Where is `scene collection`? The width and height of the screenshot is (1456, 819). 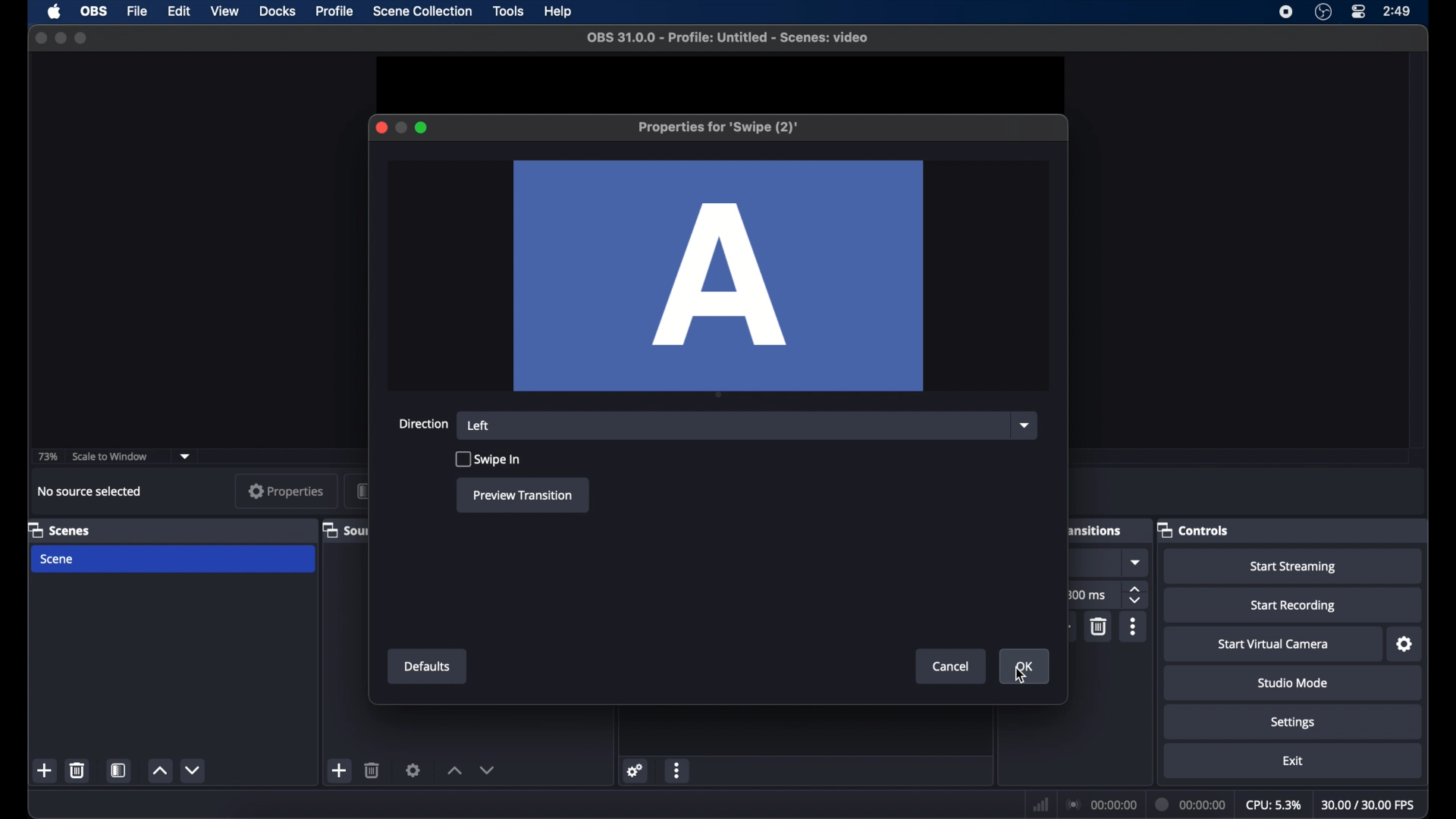 scene collection is located at coordinates (422, 11).